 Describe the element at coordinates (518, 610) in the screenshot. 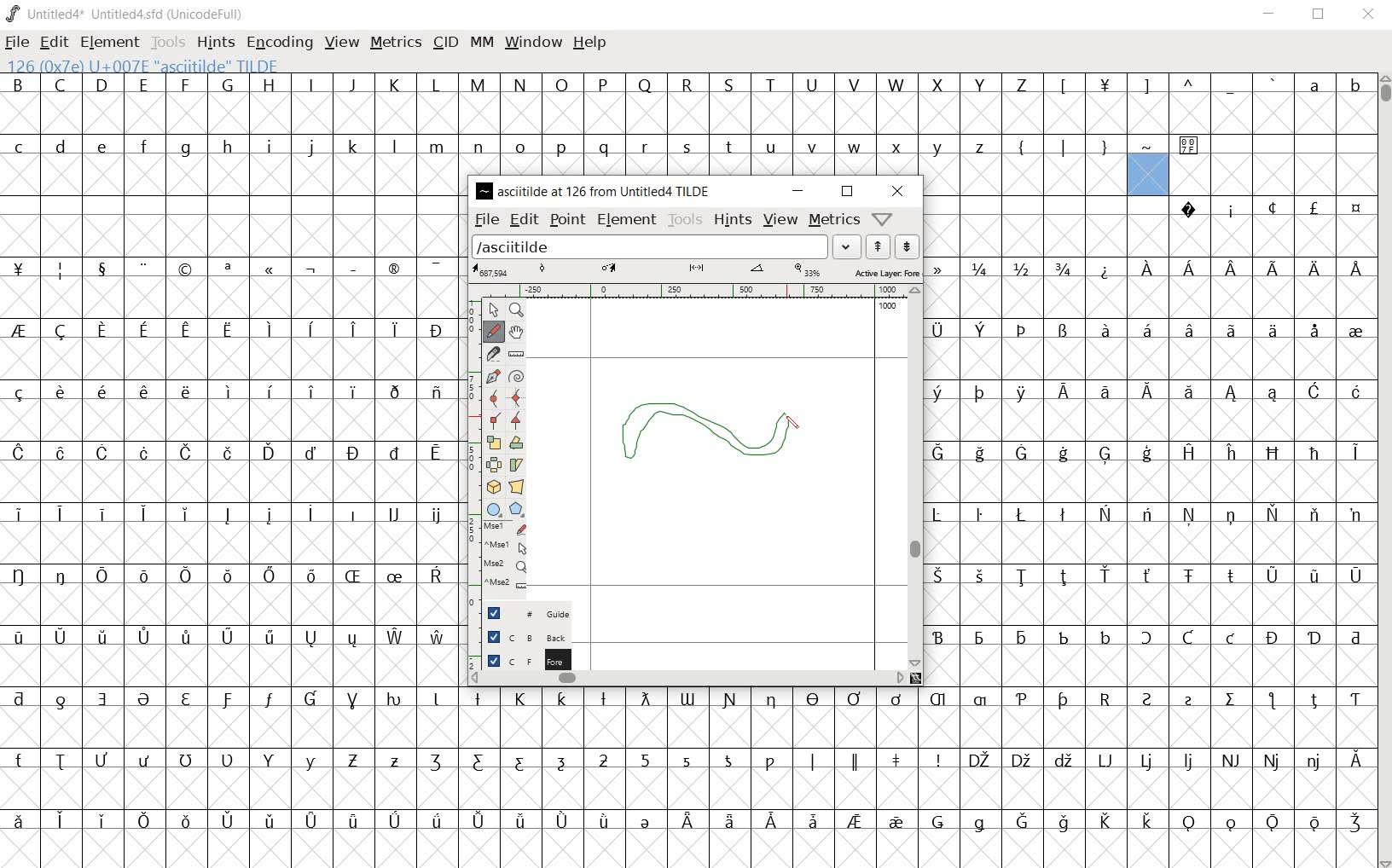

I see `guide` at that location.